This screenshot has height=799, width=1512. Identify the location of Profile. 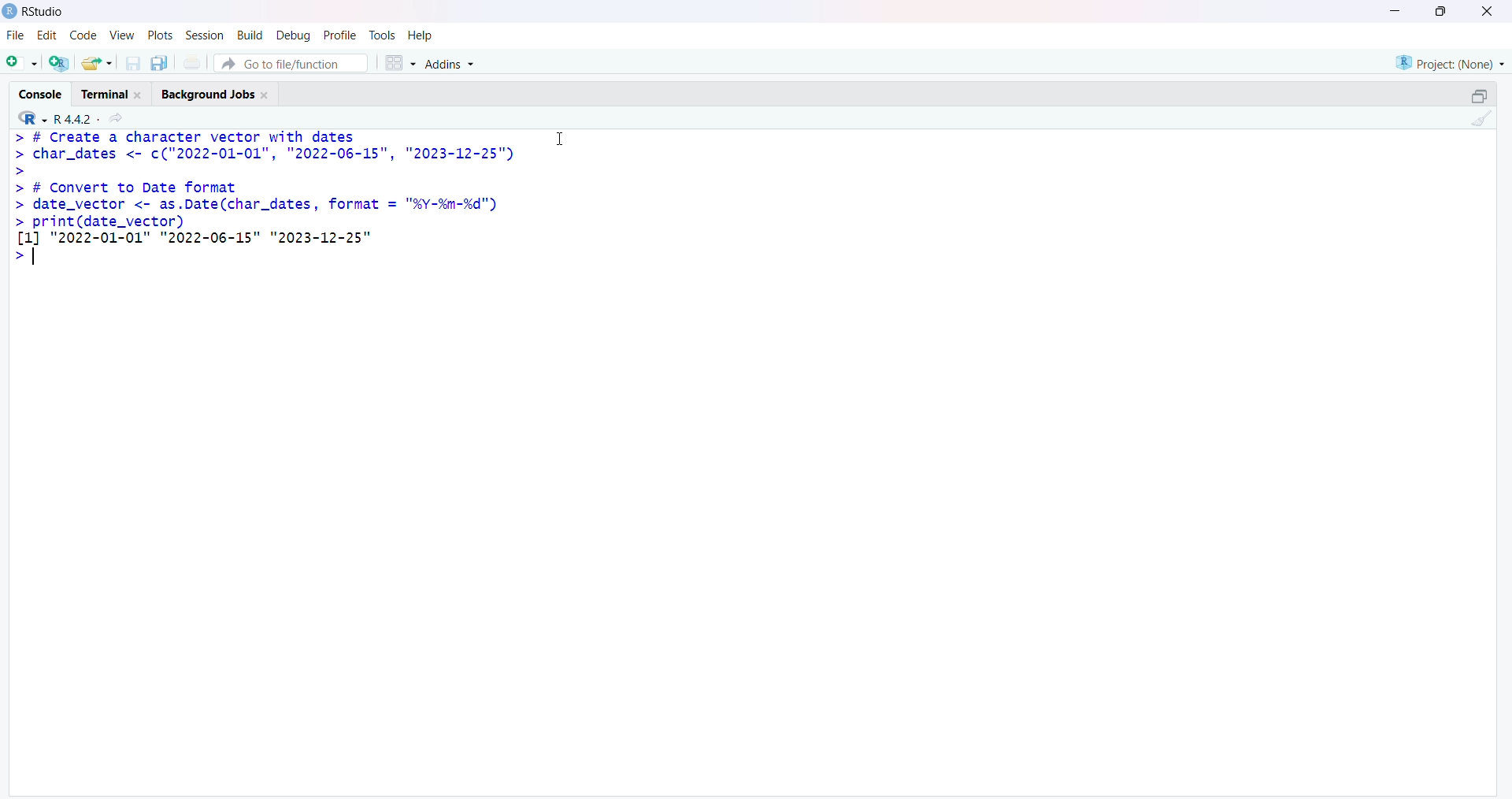
(339, 33).